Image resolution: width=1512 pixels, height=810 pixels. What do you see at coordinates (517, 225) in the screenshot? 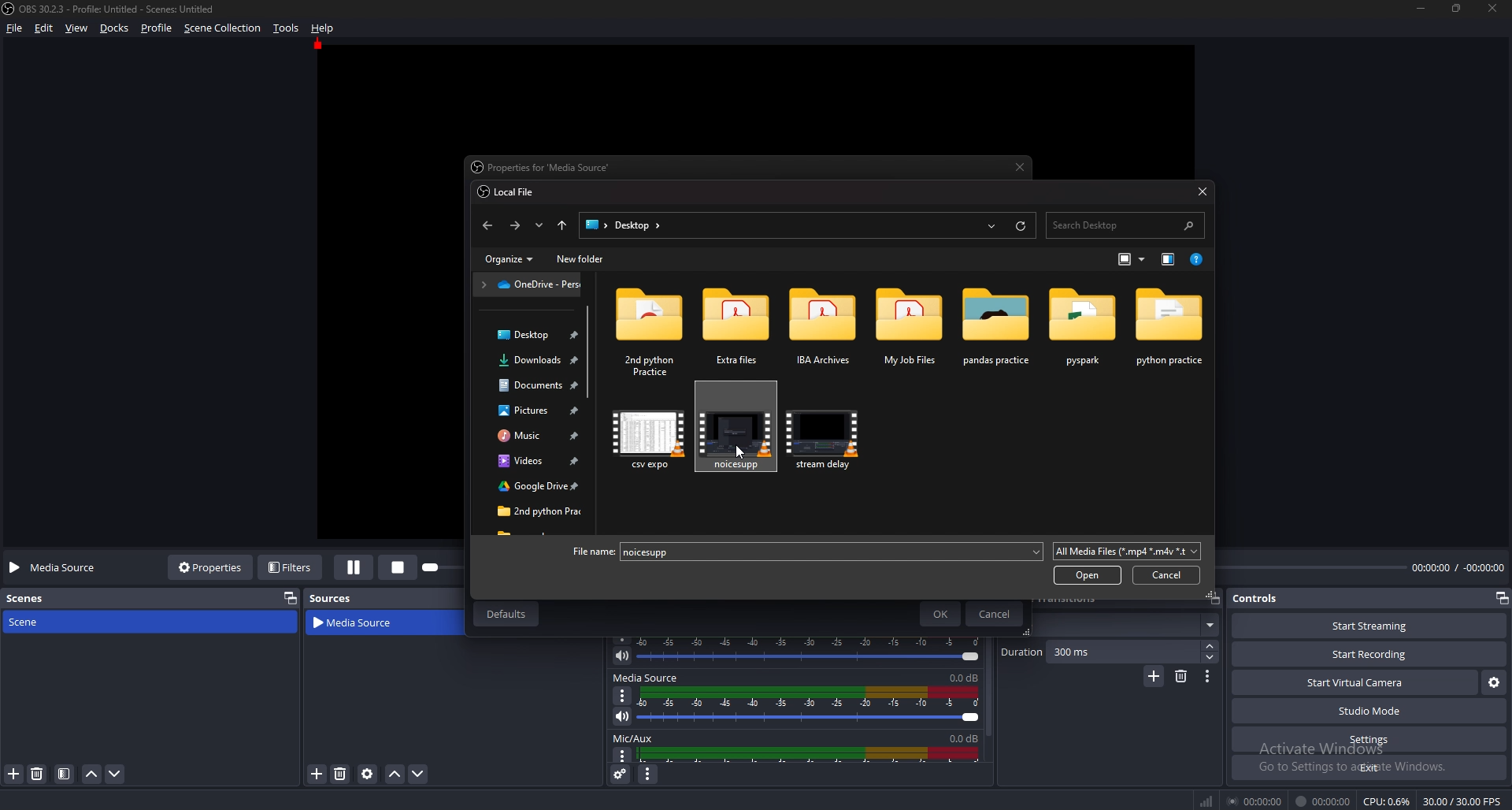
I see `forward` at bounding box center [517, 225].